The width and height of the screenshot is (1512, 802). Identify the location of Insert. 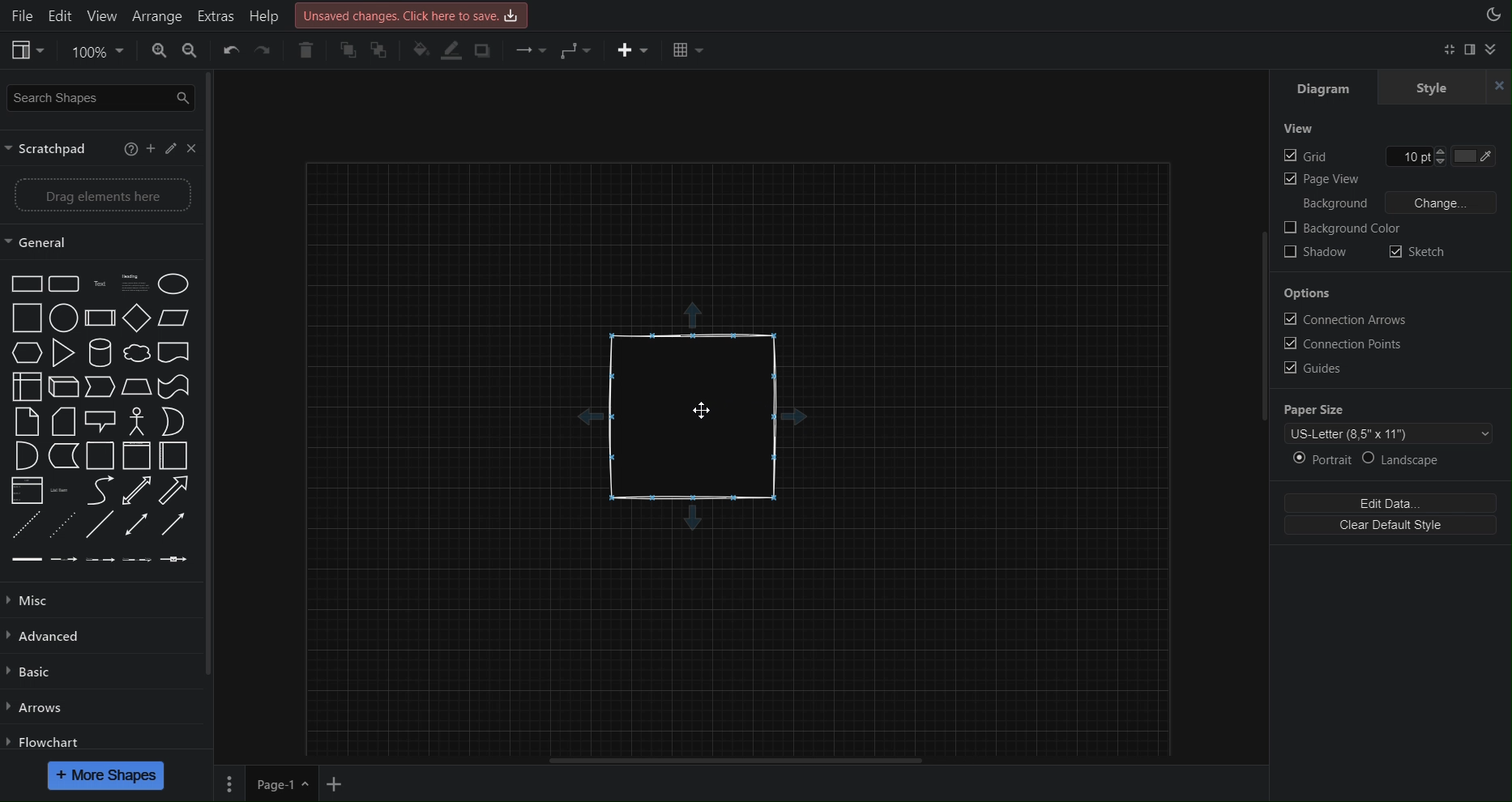
(628, 52).